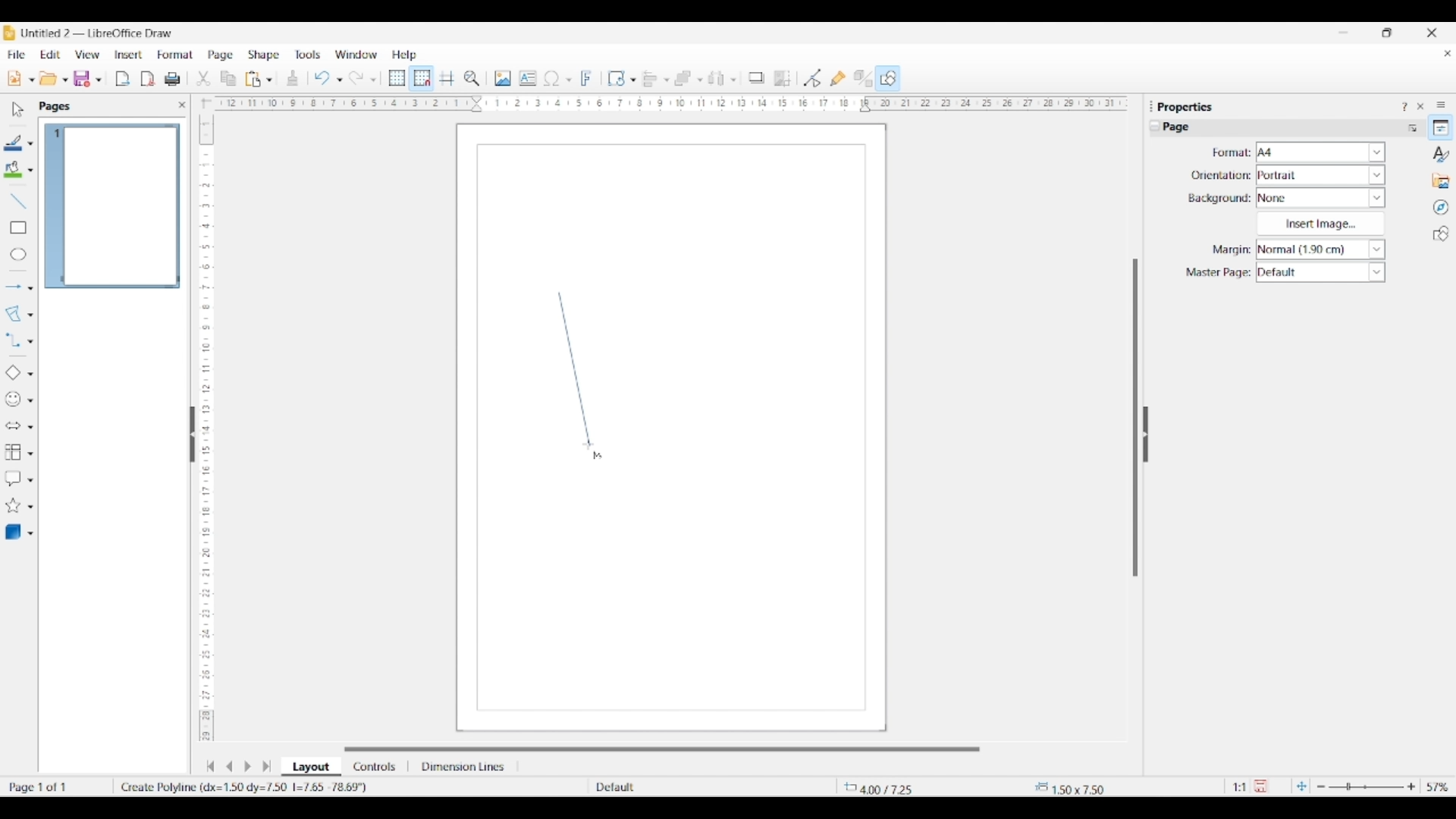 The height and width of the screenshot is (819, 1456). Describe the element at coordinates (472, 79) in the screenshot. I see `Zoom and pan` at that location.